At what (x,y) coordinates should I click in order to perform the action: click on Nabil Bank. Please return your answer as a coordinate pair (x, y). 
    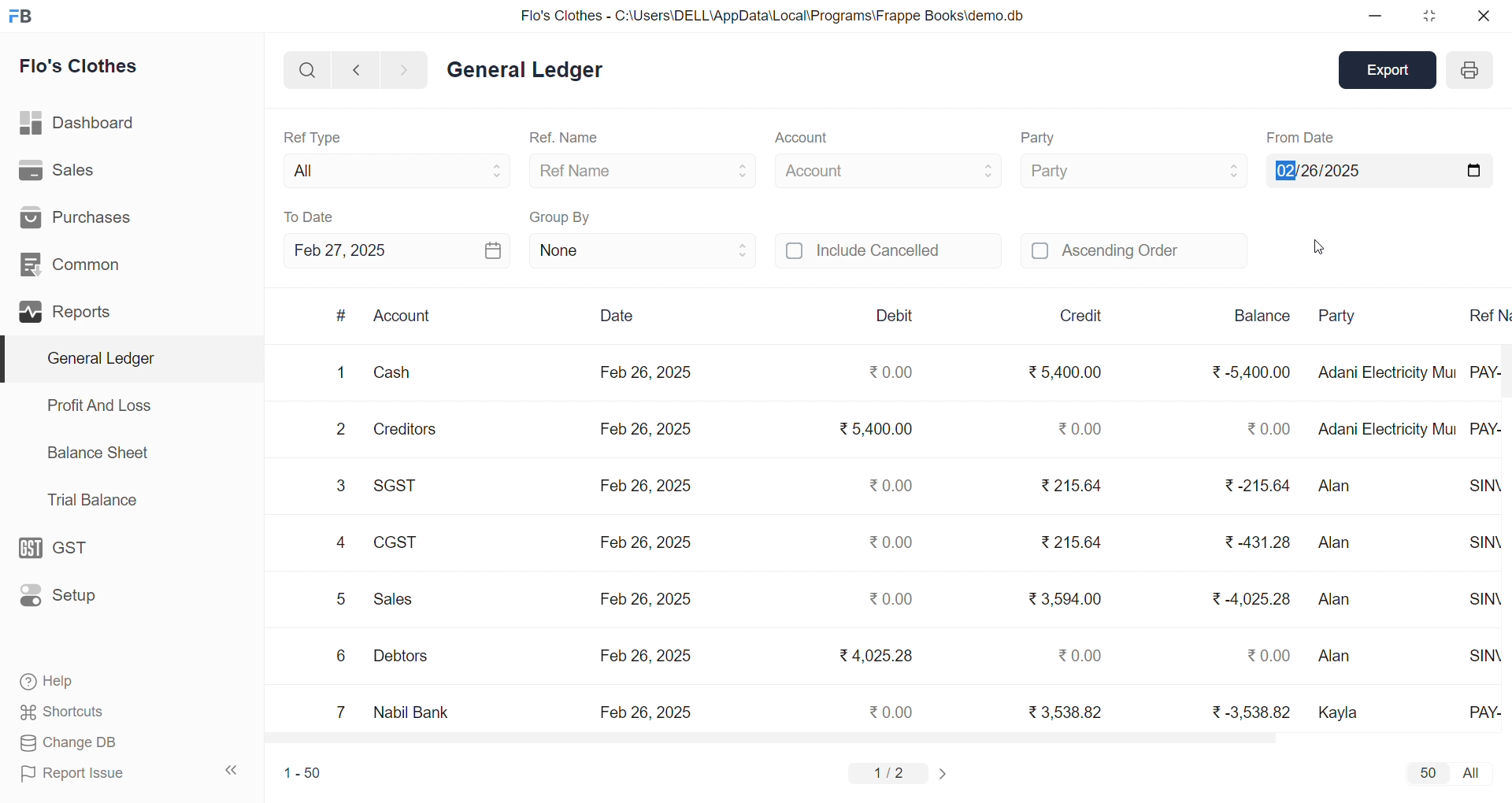
    Looking at the image, I should click on (411, 709).